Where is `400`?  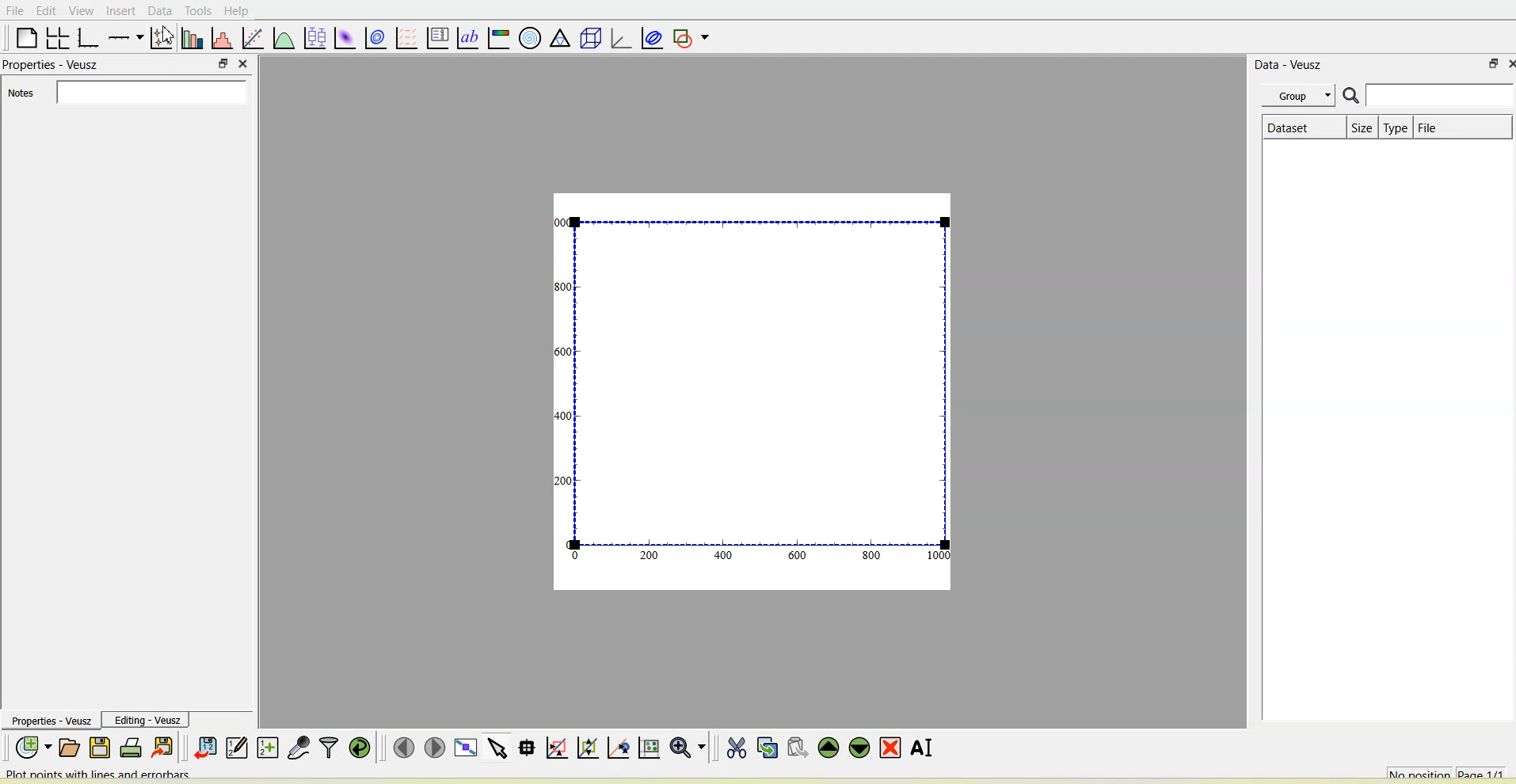
400 is located at coordinates (564, 414).